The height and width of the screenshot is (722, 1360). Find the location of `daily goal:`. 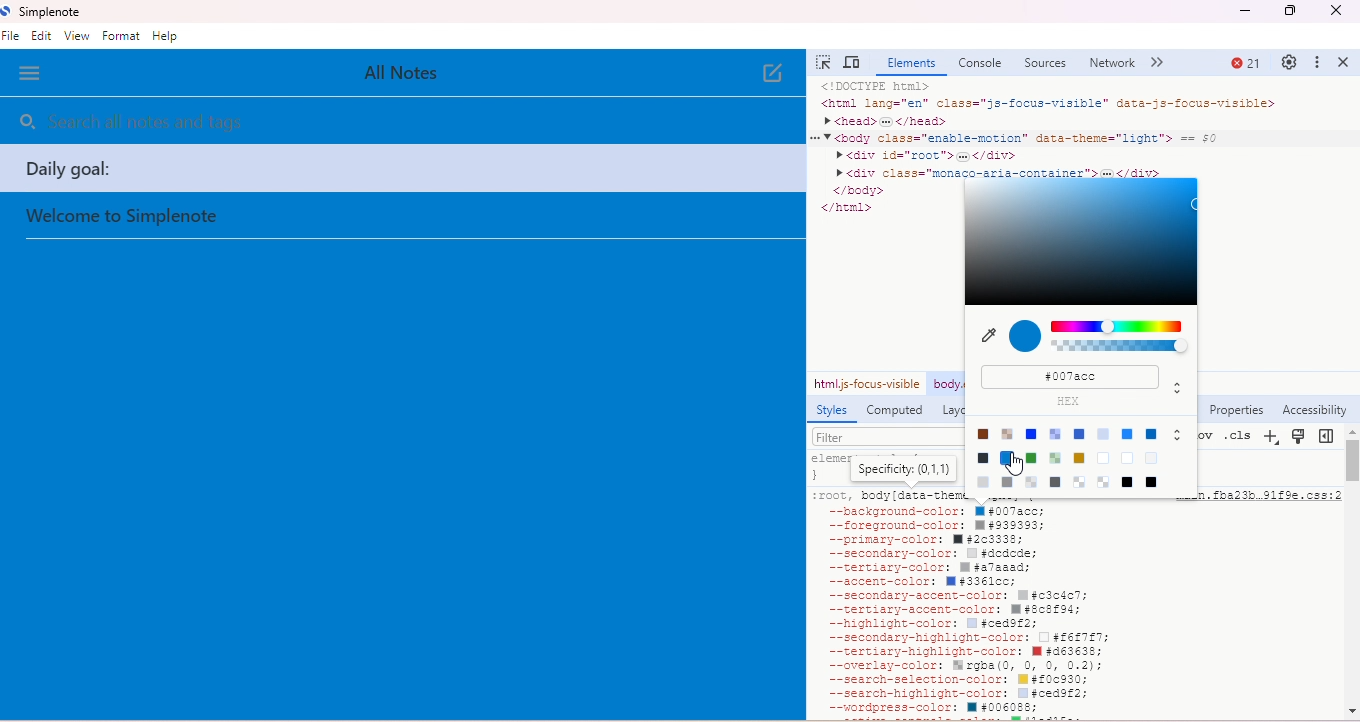

daily goal: is located at coordinates (402, 169).